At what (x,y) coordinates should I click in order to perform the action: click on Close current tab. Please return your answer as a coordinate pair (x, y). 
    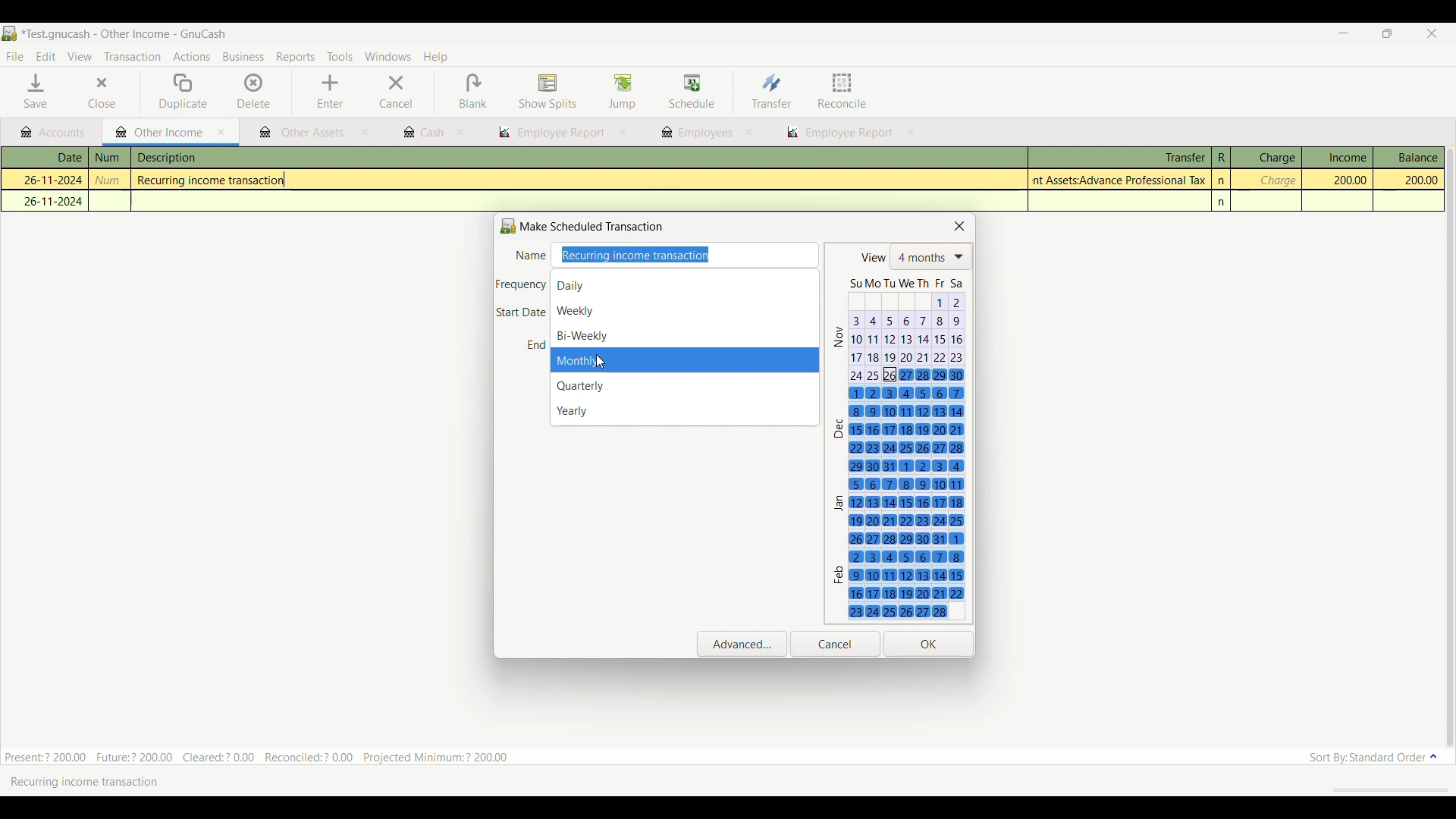
    Looking at the image, I should click on (221, 133).